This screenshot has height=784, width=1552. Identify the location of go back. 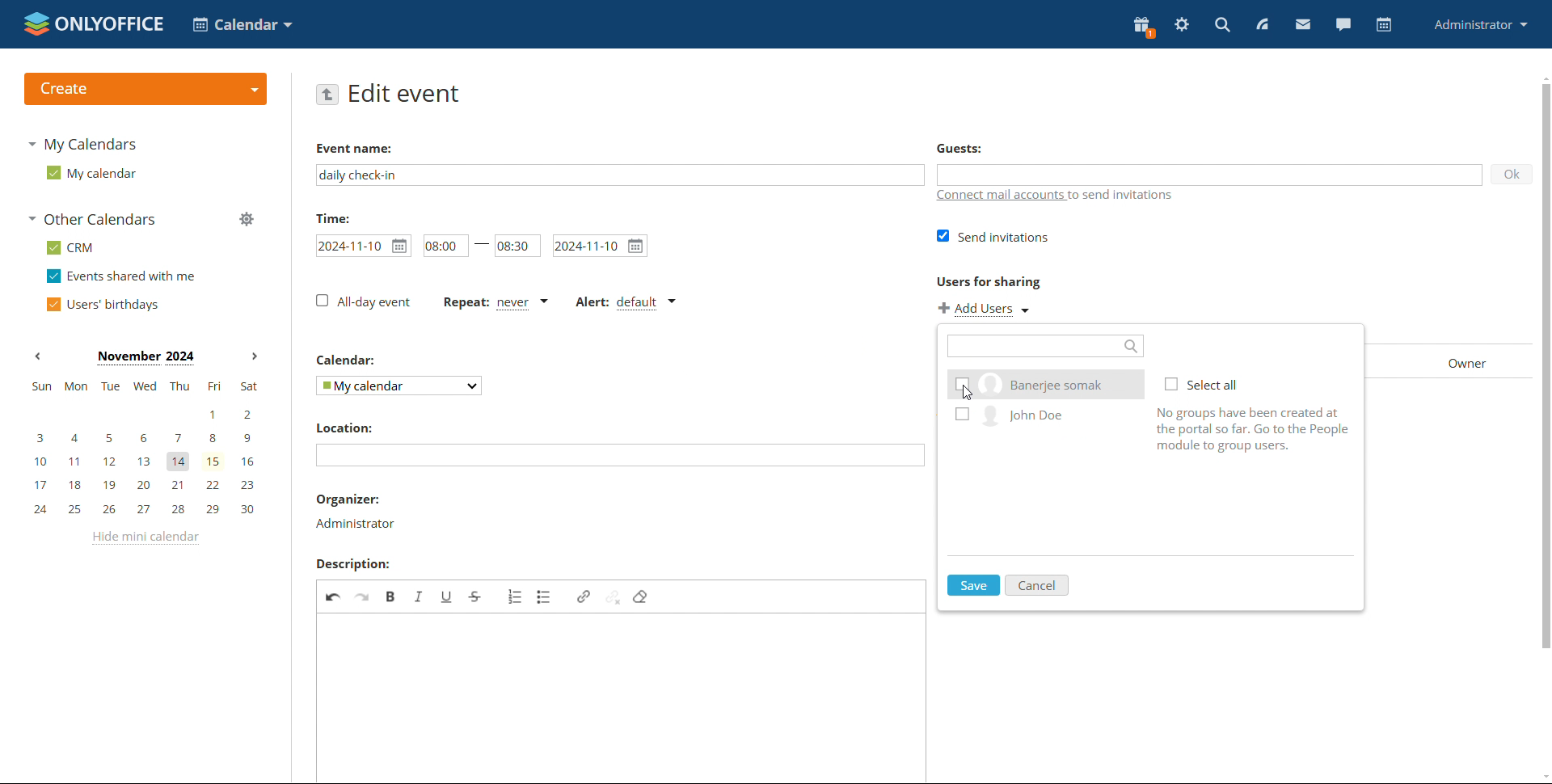
(327, 93).